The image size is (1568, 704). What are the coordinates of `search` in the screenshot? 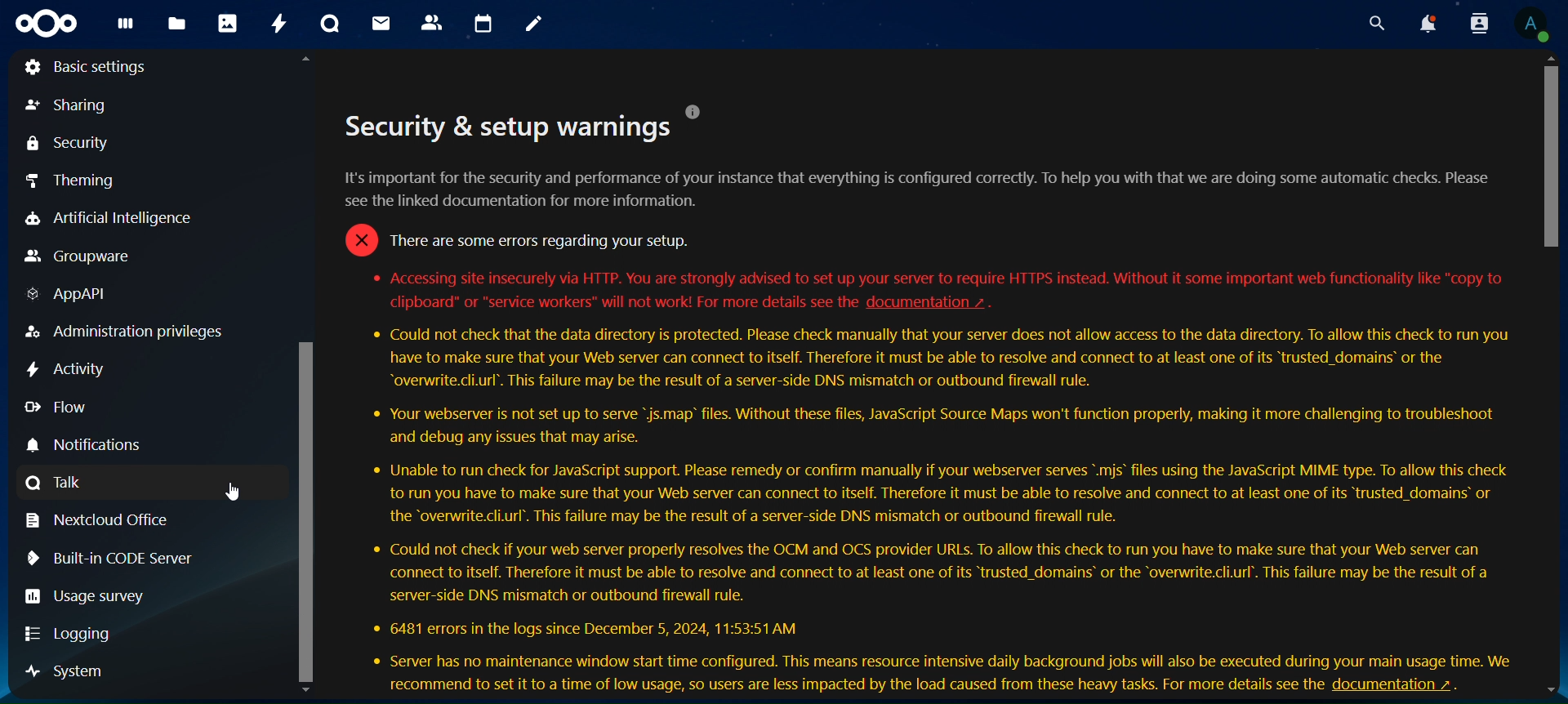 It's located at (1373, 25).